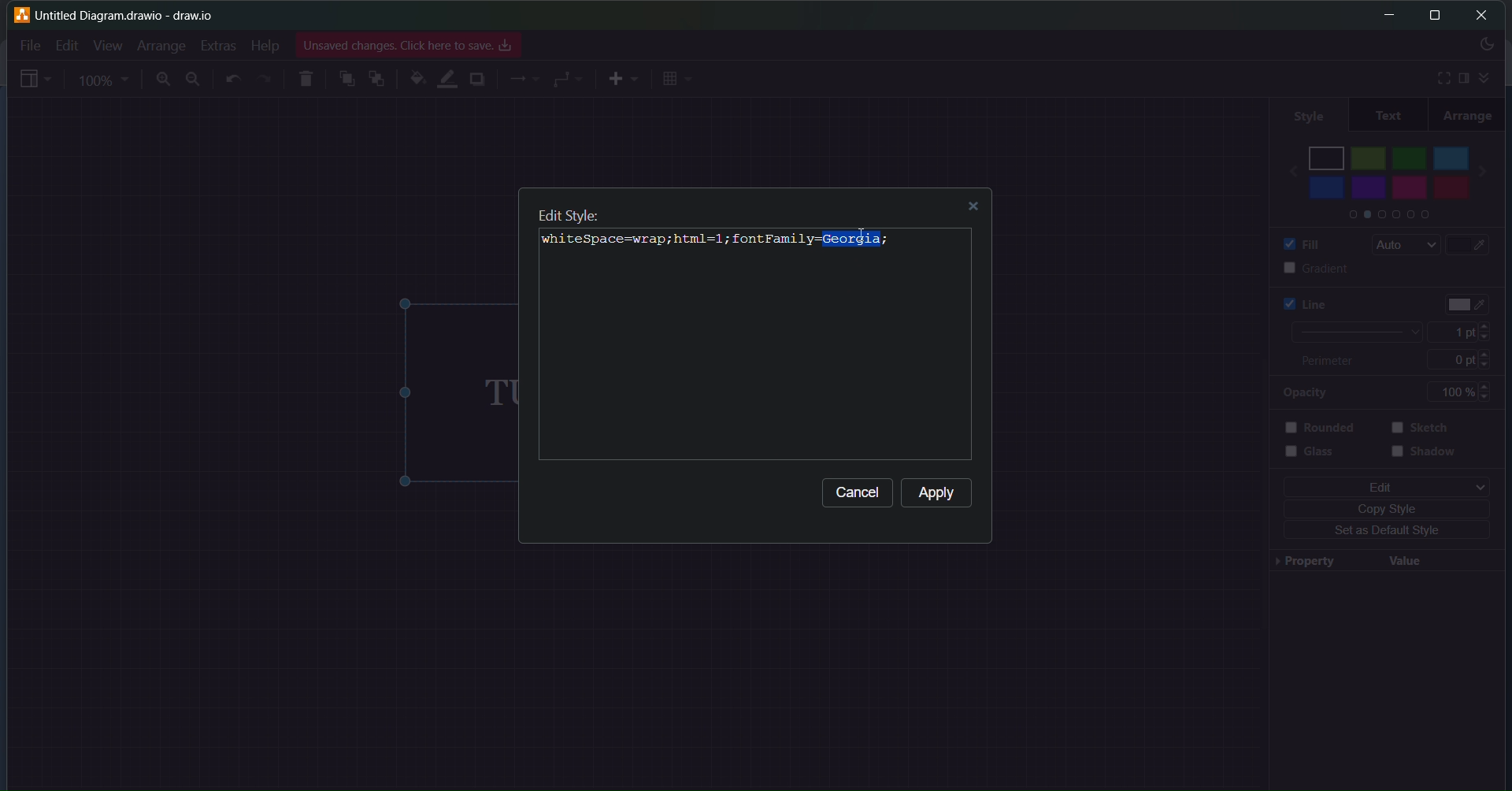  What do you see at coordinates (1390, 508) in the screenshot?
I see `copy style` at bounding box center [1390, 508].